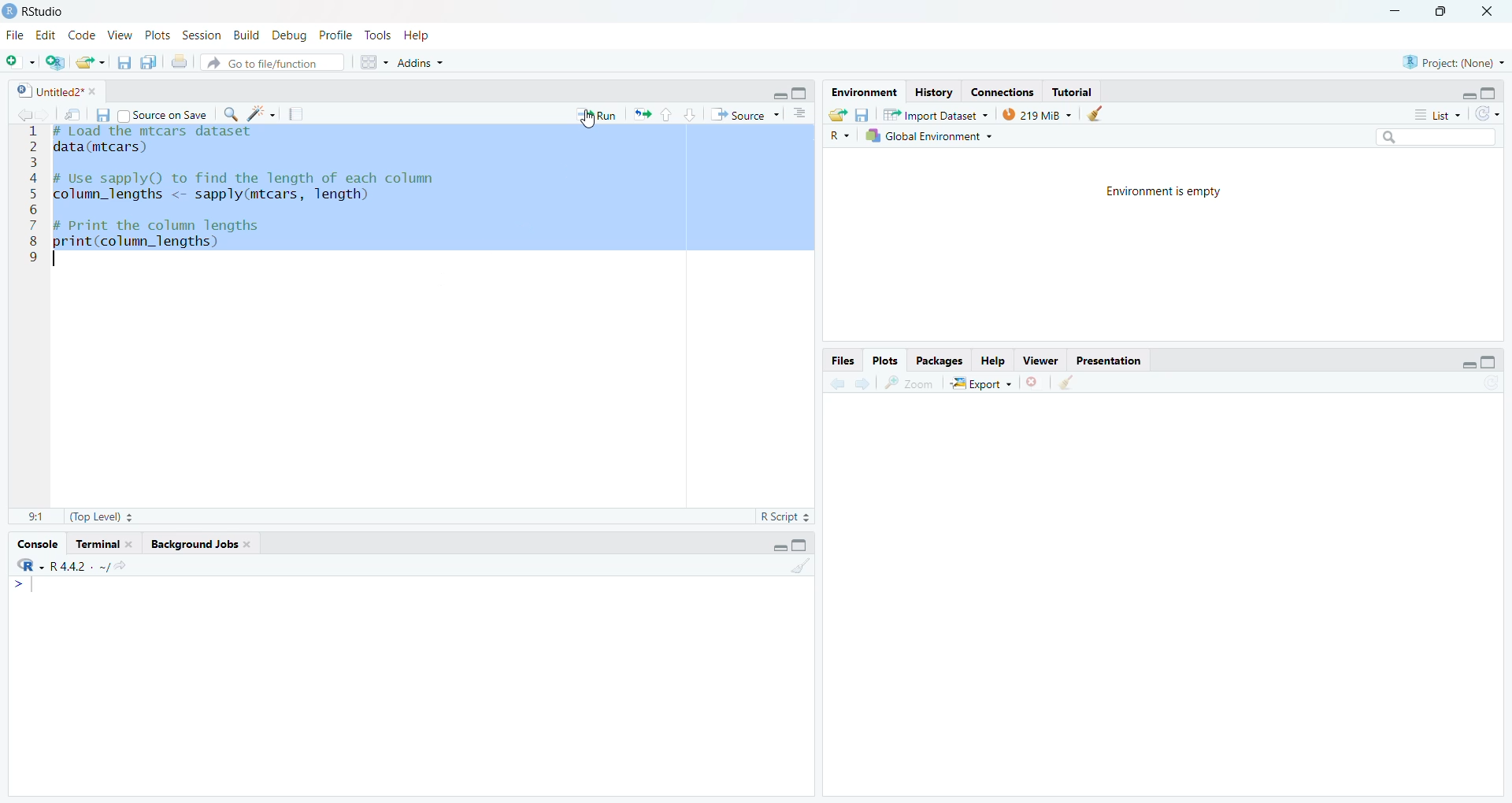  Describe the element at coordinates (1003, 91) in the screenshot. I see `Connections` at that location.